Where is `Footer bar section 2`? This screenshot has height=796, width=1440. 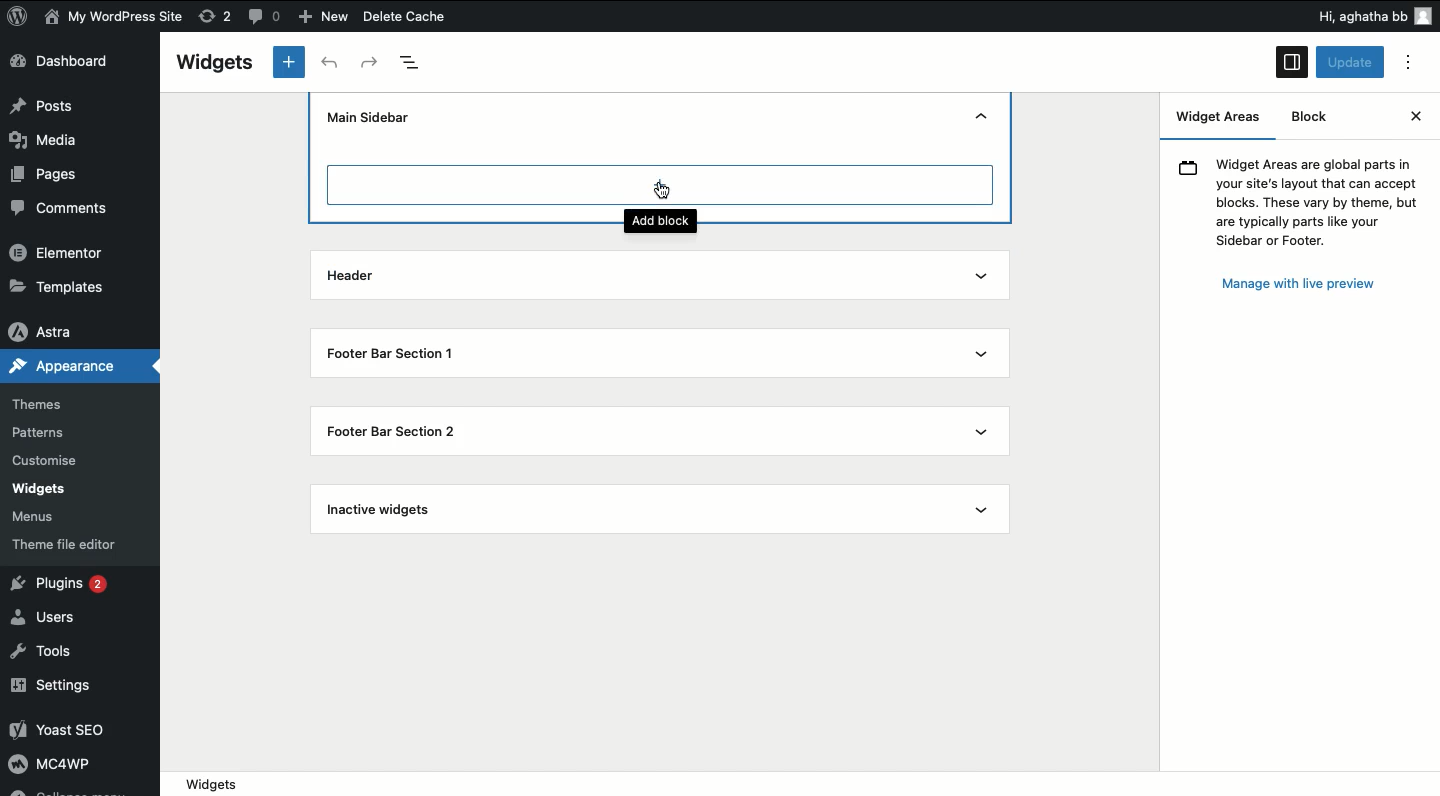
Footer bar section 2 is located at coordinates (400, 429).